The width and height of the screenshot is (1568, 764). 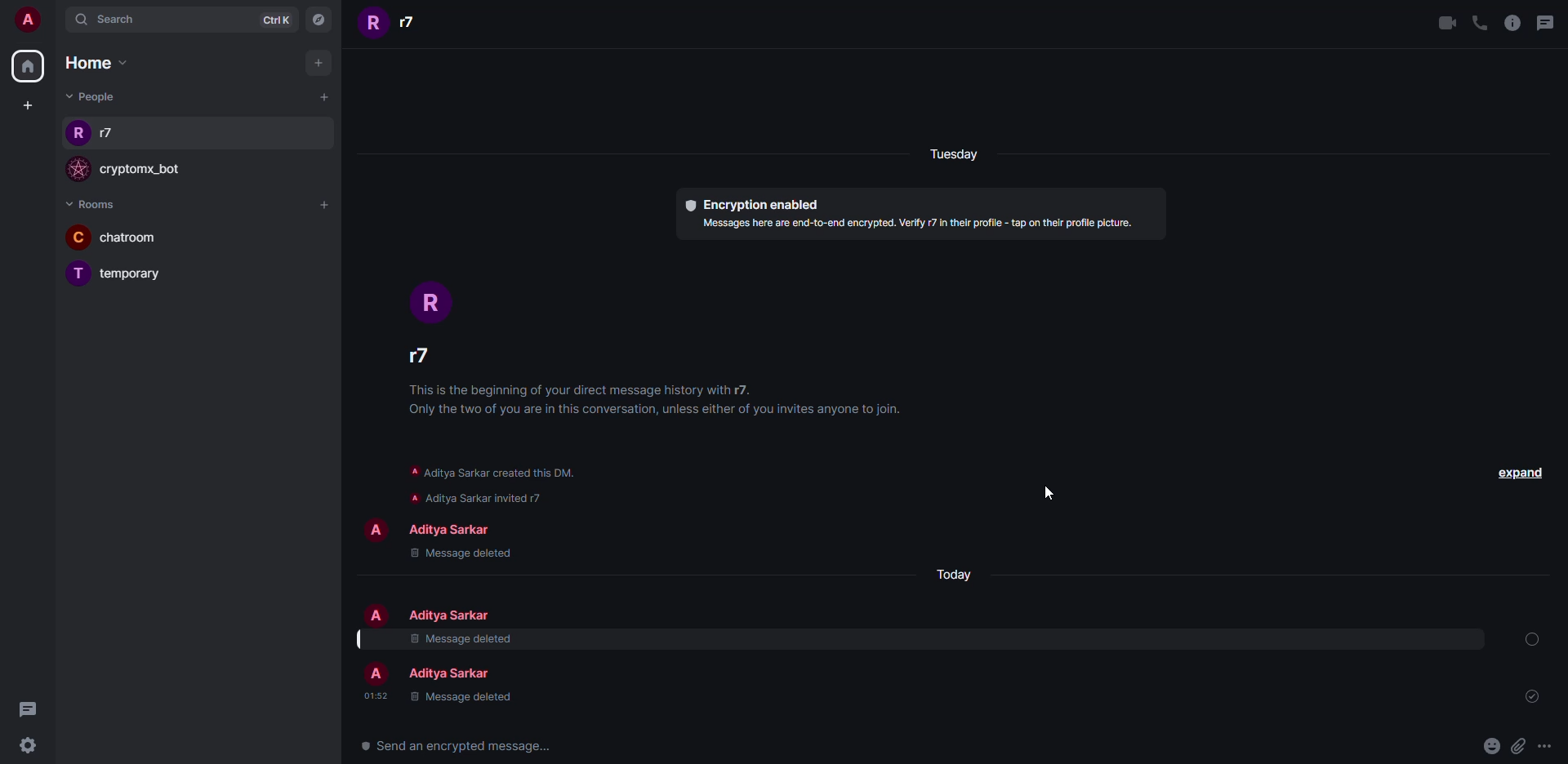 What do you see at coordinates (266, 19) in the screenshot?
I see `ctrlK` at bounding box center [266, 19].